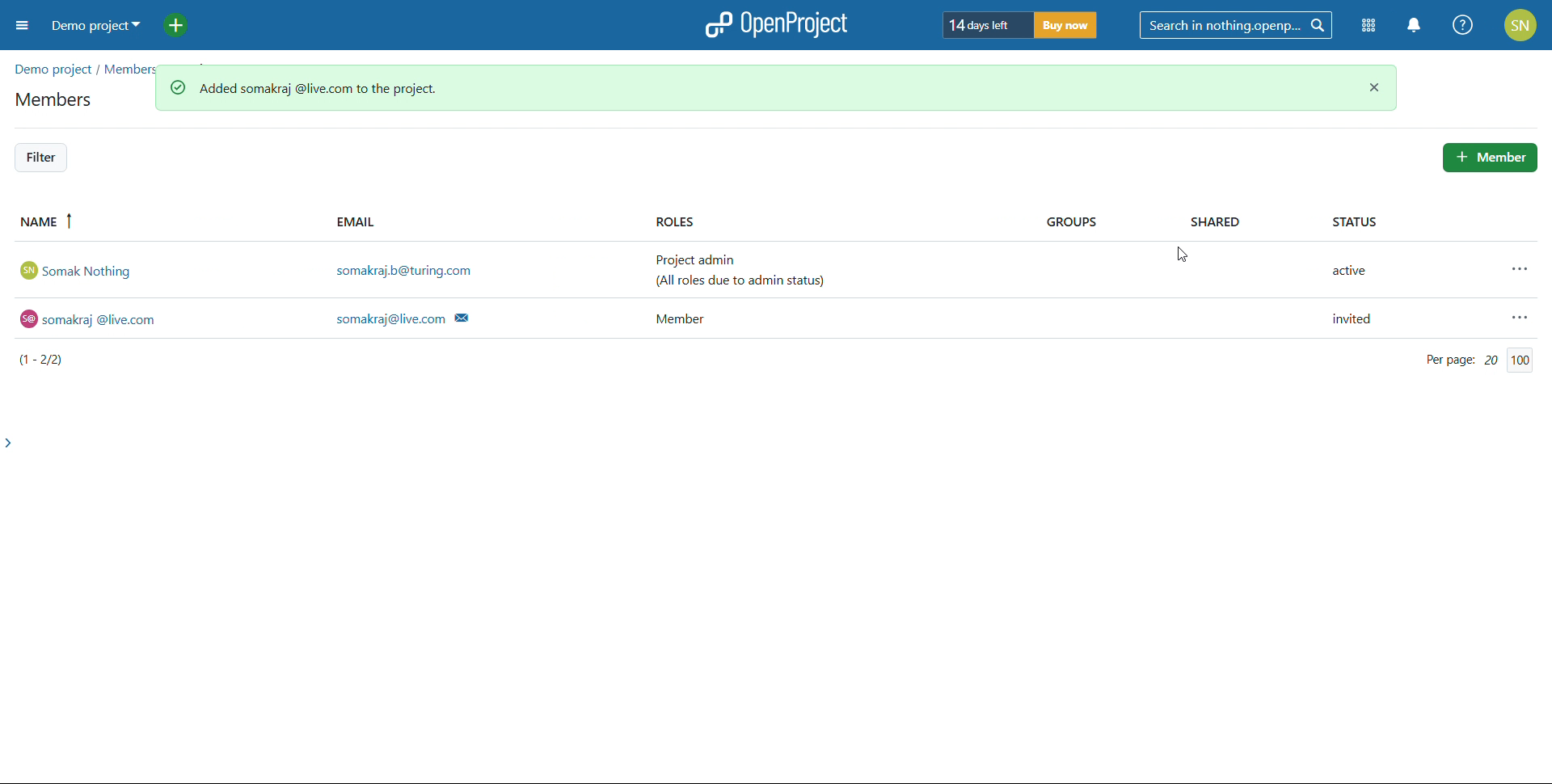 The image size is (1552, 784). Describe the element at coordinates (1344, 271) in the screenshot. I see `active` at that location.